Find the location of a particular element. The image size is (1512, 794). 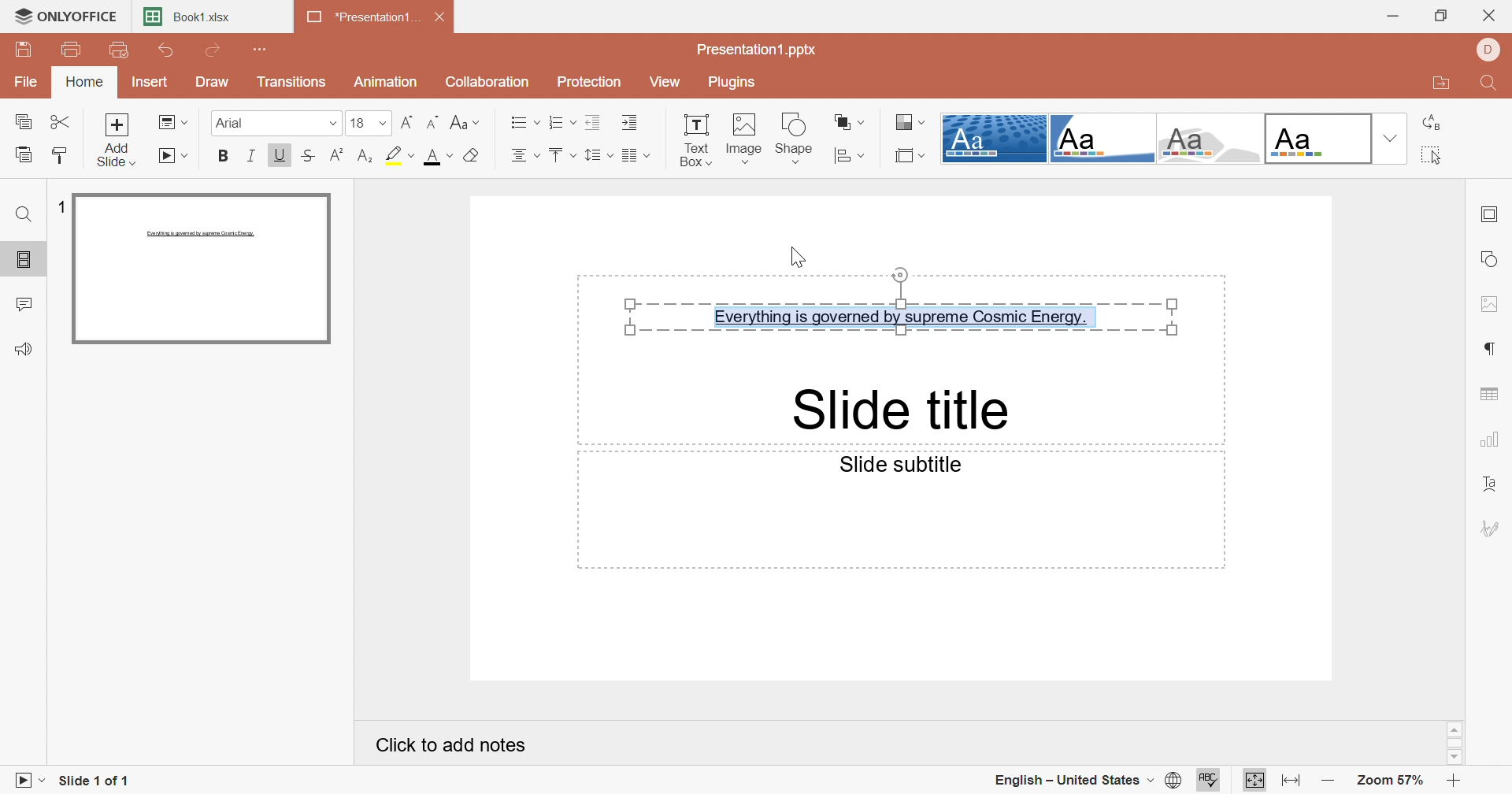

Set document language is located at coordinates (1175, 781).